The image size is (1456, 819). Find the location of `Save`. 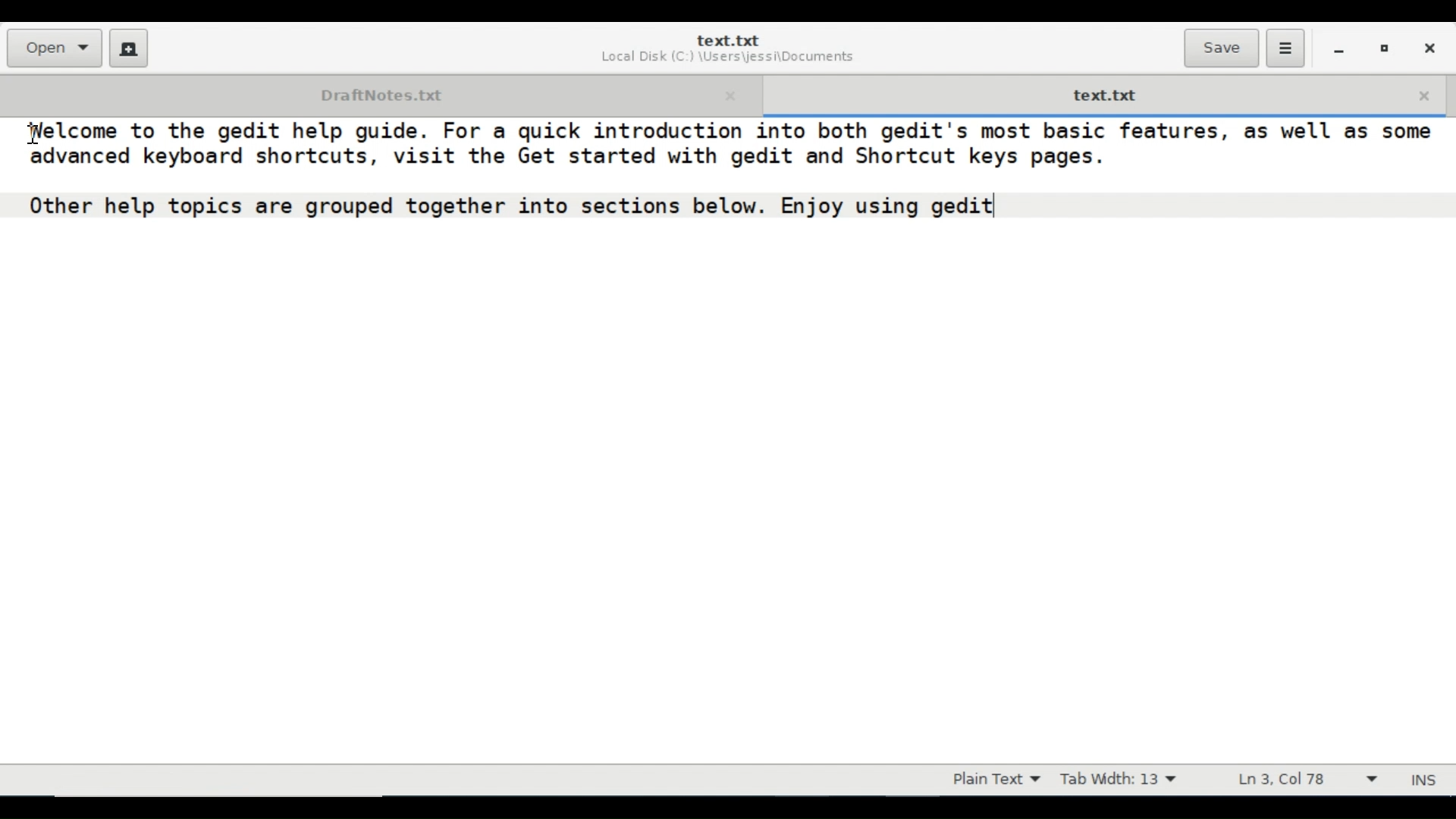

Save is located at coordinates (1221, 48).